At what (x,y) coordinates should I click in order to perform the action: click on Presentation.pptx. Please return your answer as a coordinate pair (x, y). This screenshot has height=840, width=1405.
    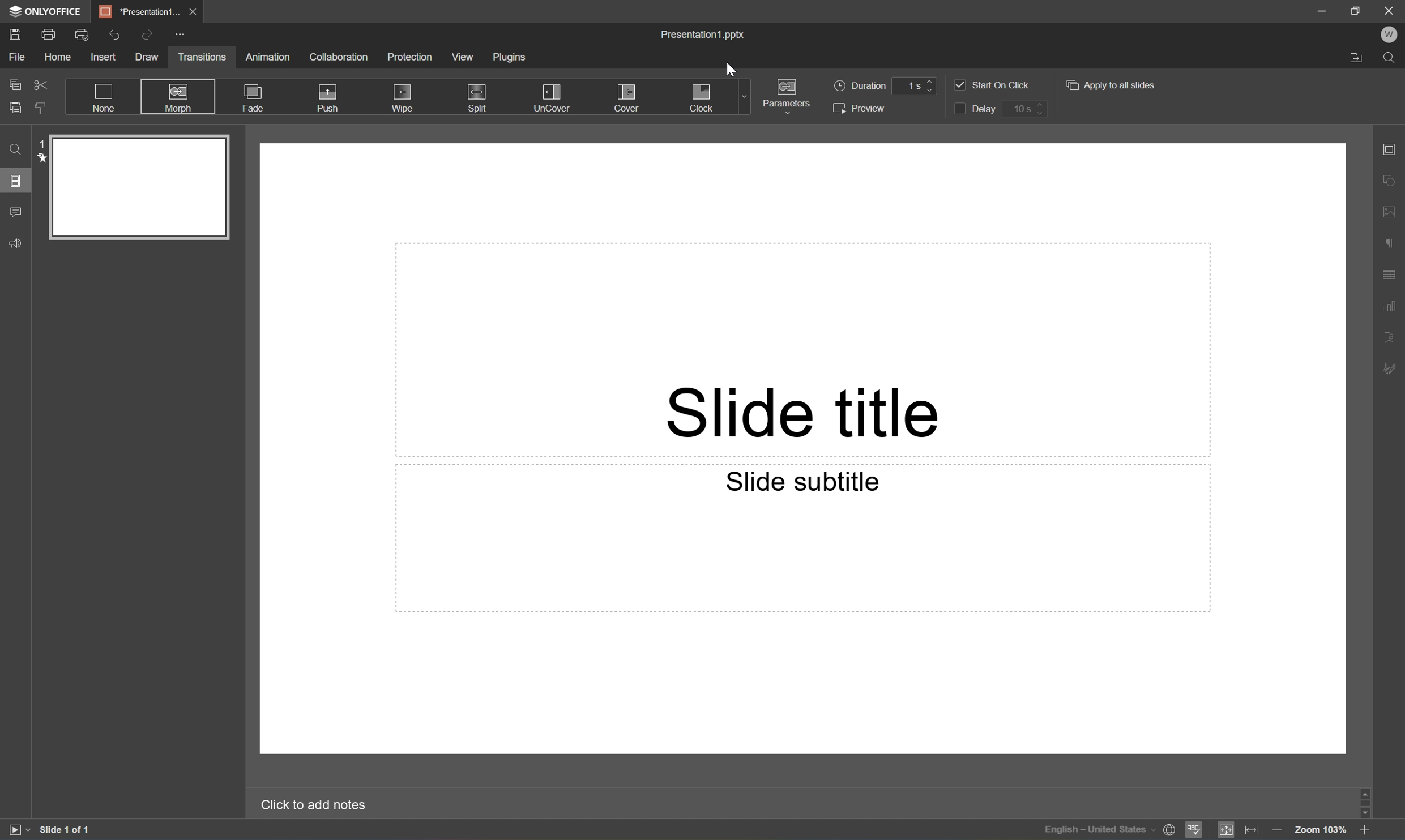
    Looking at the image, I should click on (704, 34).